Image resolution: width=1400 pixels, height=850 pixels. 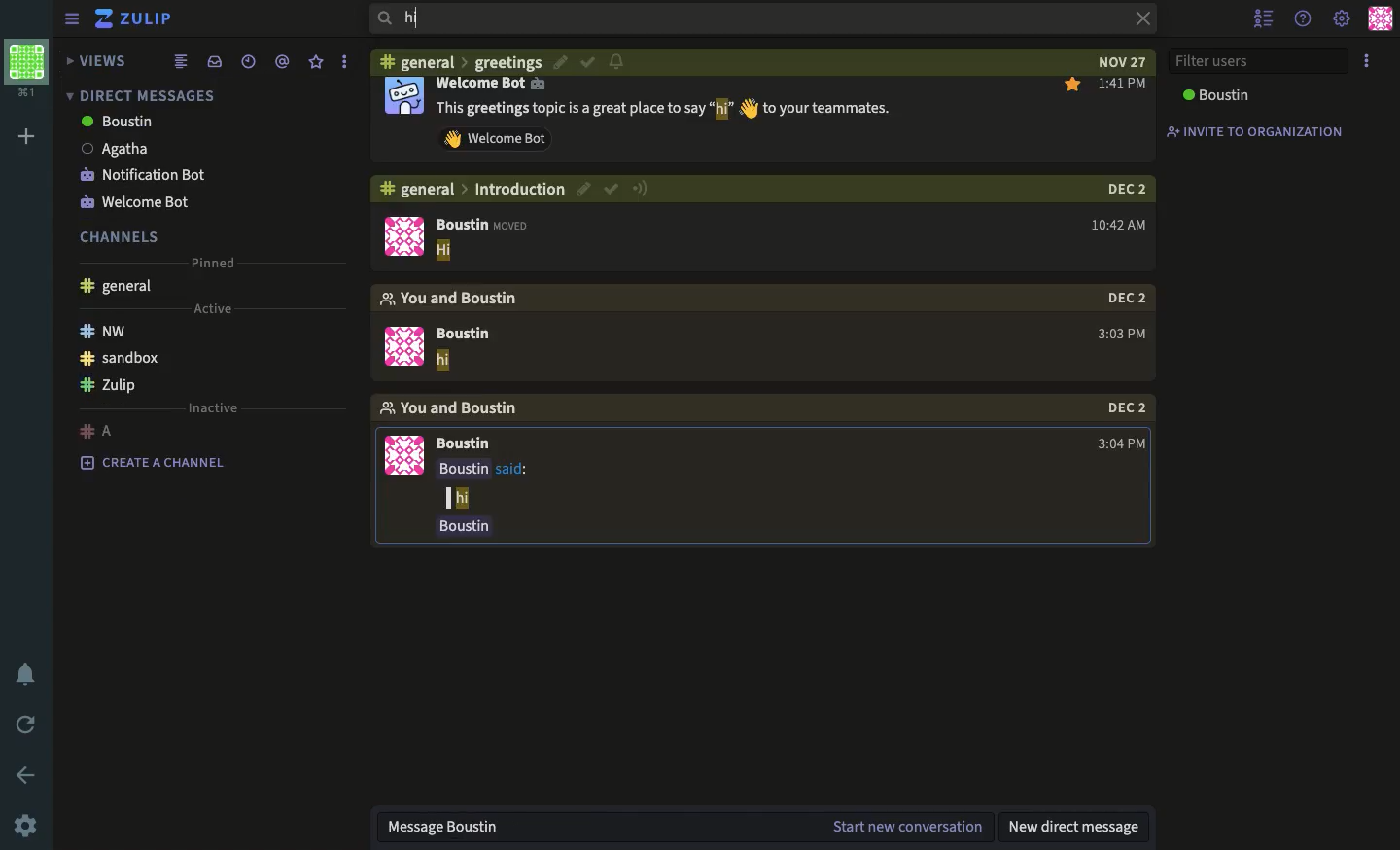 I want to click on options, so click(x=1369, y=62).